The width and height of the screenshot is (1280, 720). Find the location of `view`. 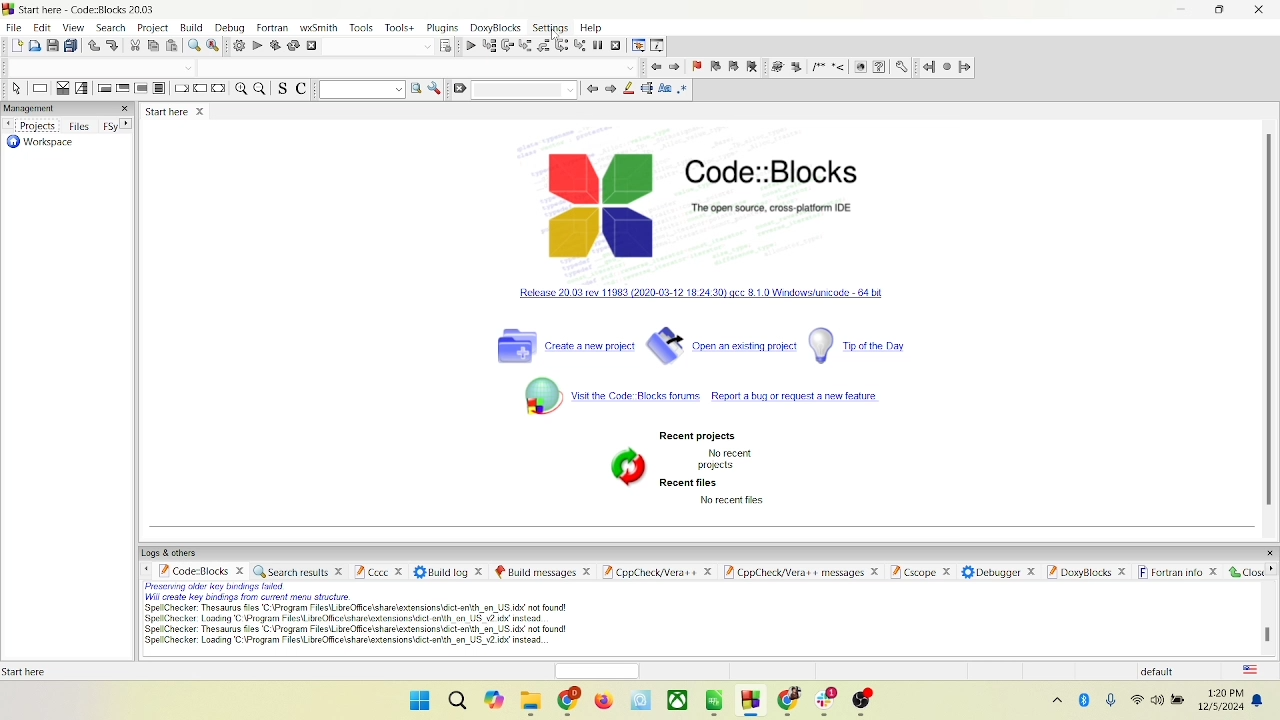

view is located at coordinates (76, 27).